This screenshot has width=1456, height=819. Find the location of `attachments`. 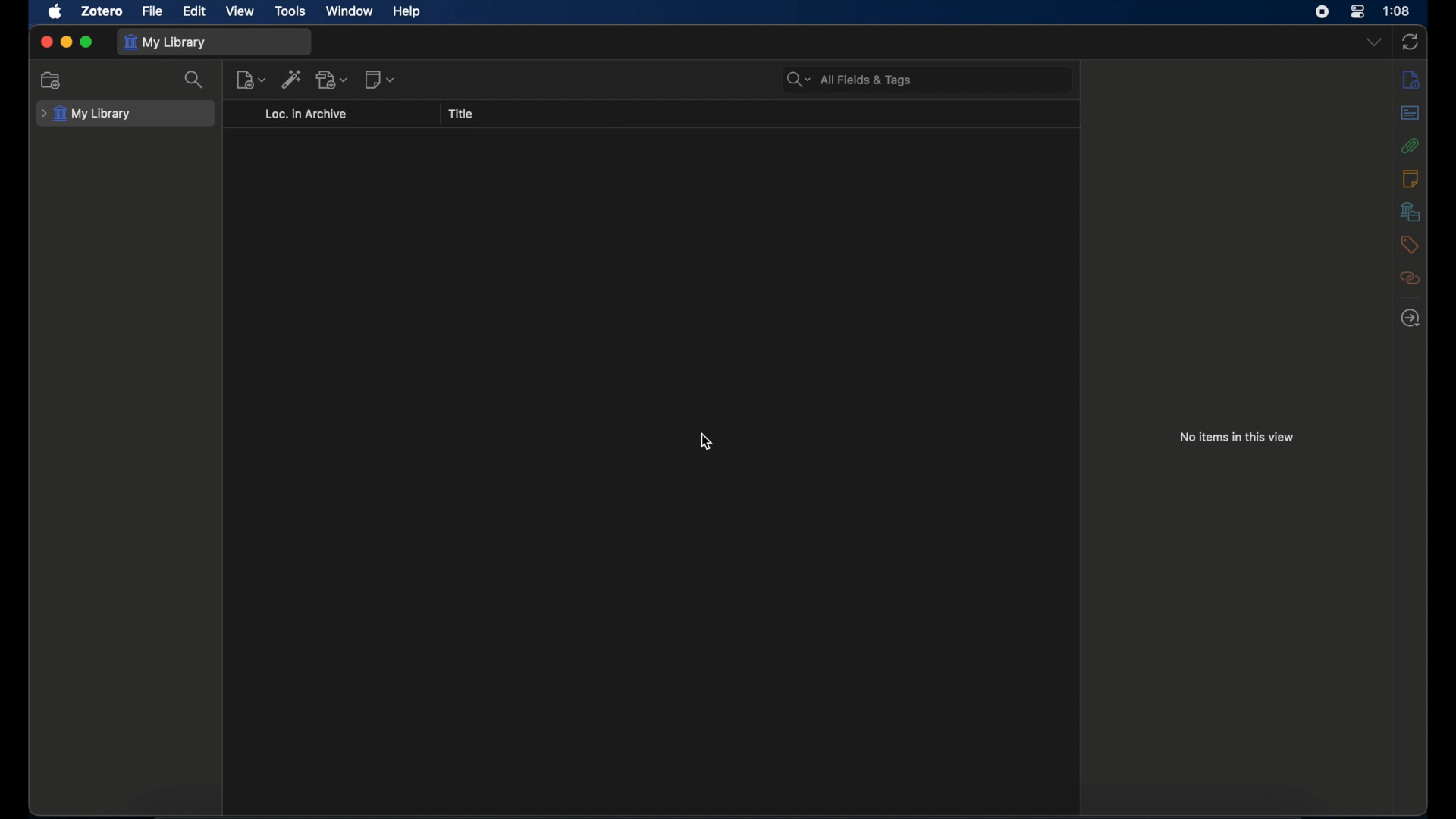

attachments is located at coordinates (1410, 145).